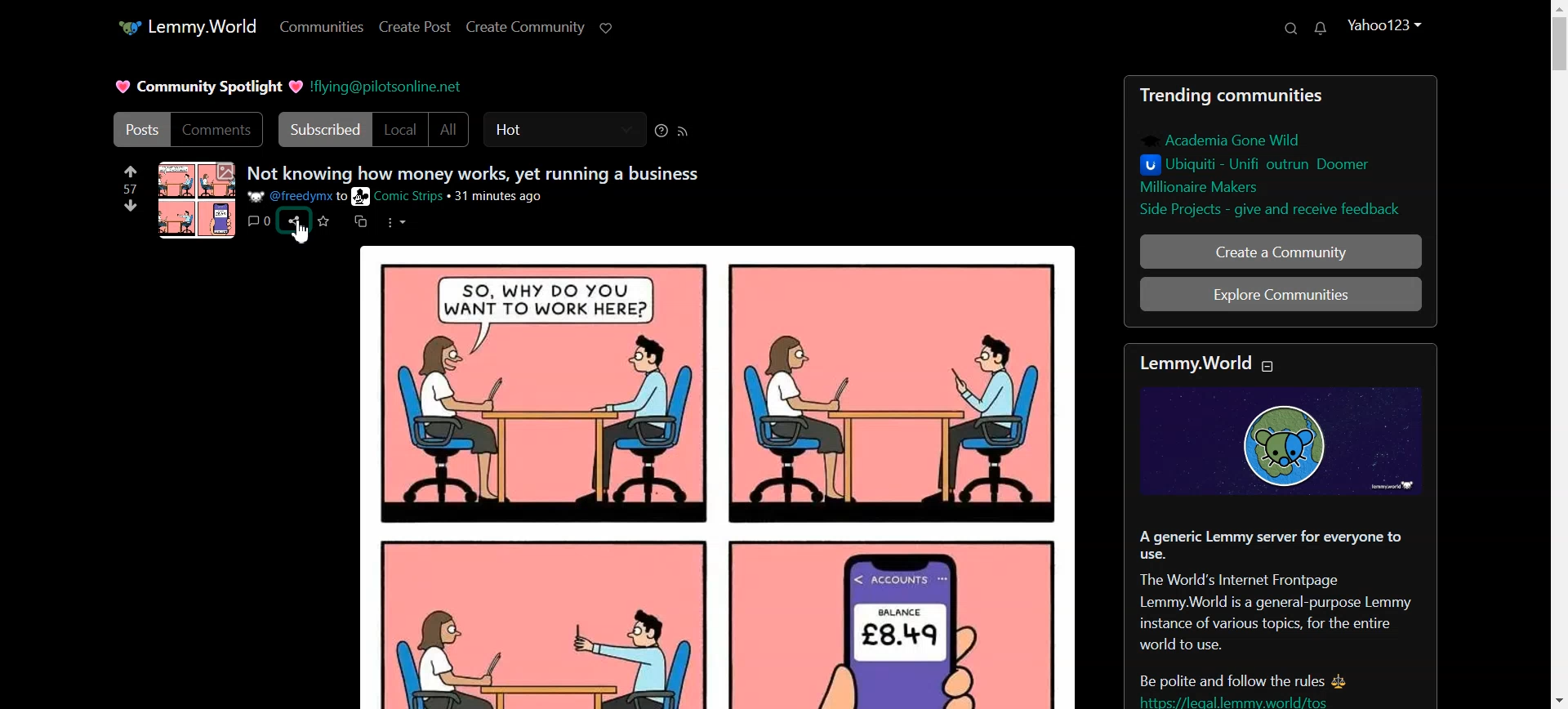 The image size is (1568, 709). What do you see at coordinates (258, 221) in the screenshot?
I see `Comments` at bounding box center [258, 221].